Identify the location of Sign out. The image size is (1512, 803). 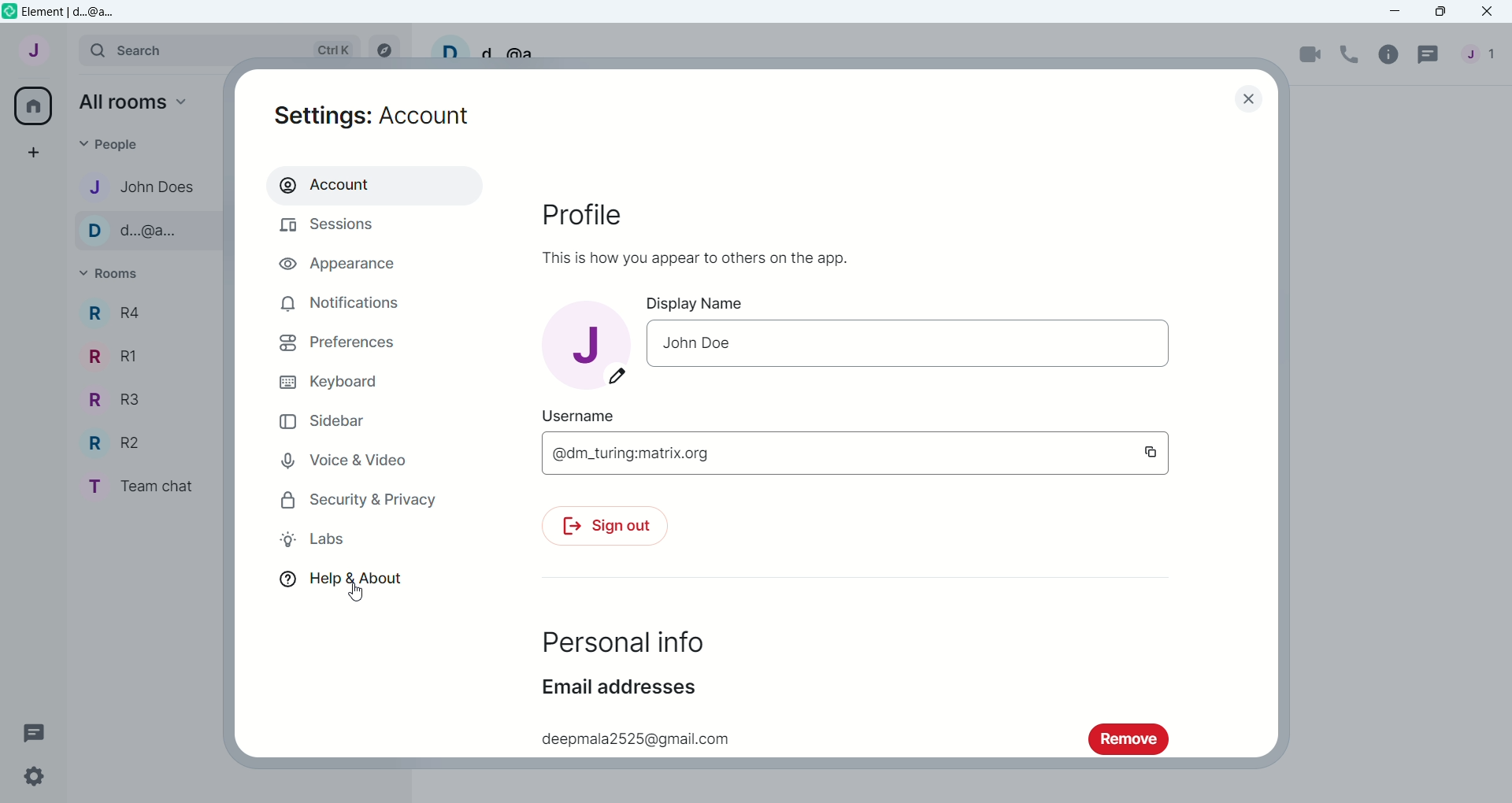
(617, 528).